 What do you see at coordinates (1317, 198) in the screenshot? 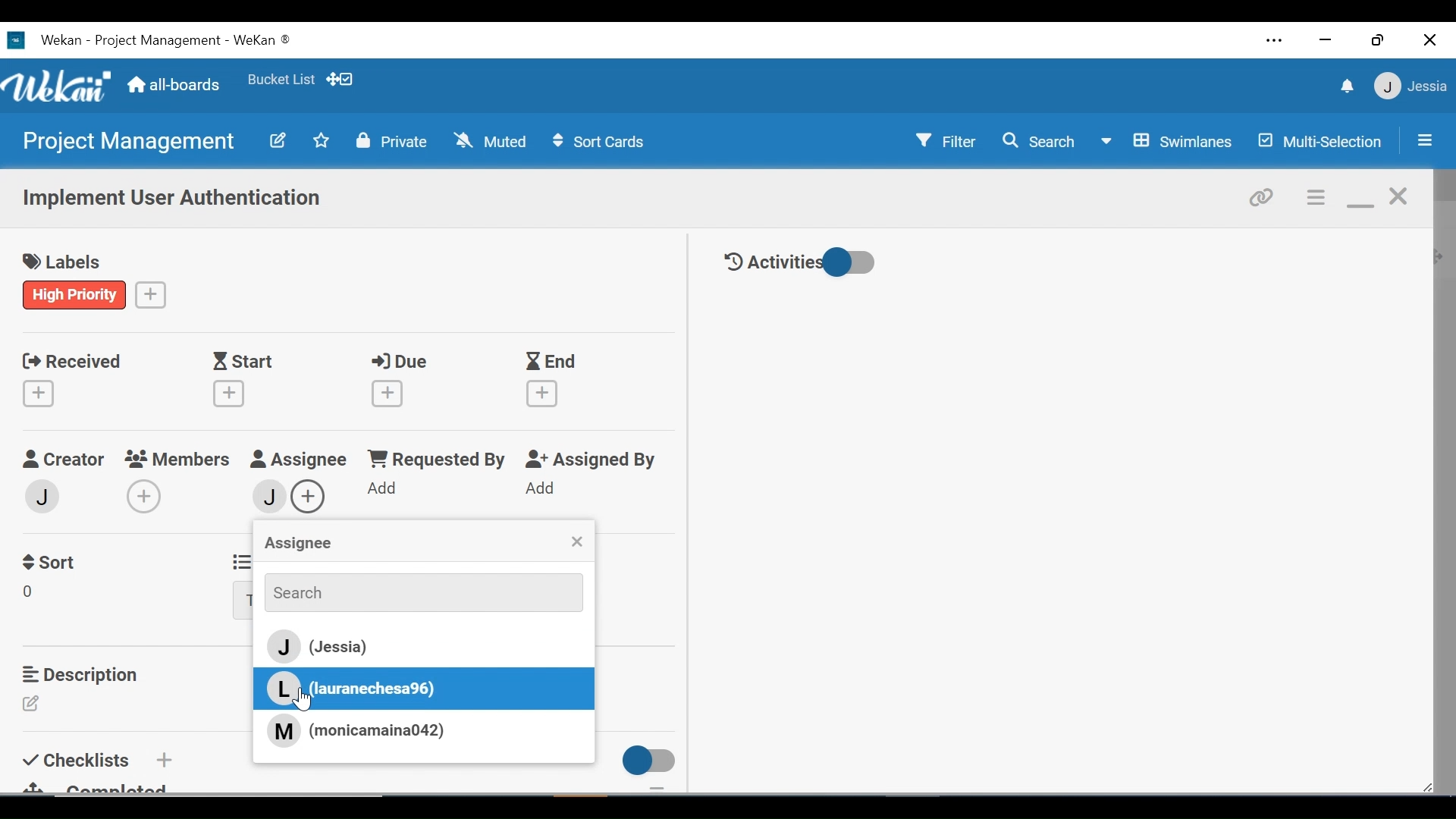
I see `Card actions` at bounding box center [1317, 198].